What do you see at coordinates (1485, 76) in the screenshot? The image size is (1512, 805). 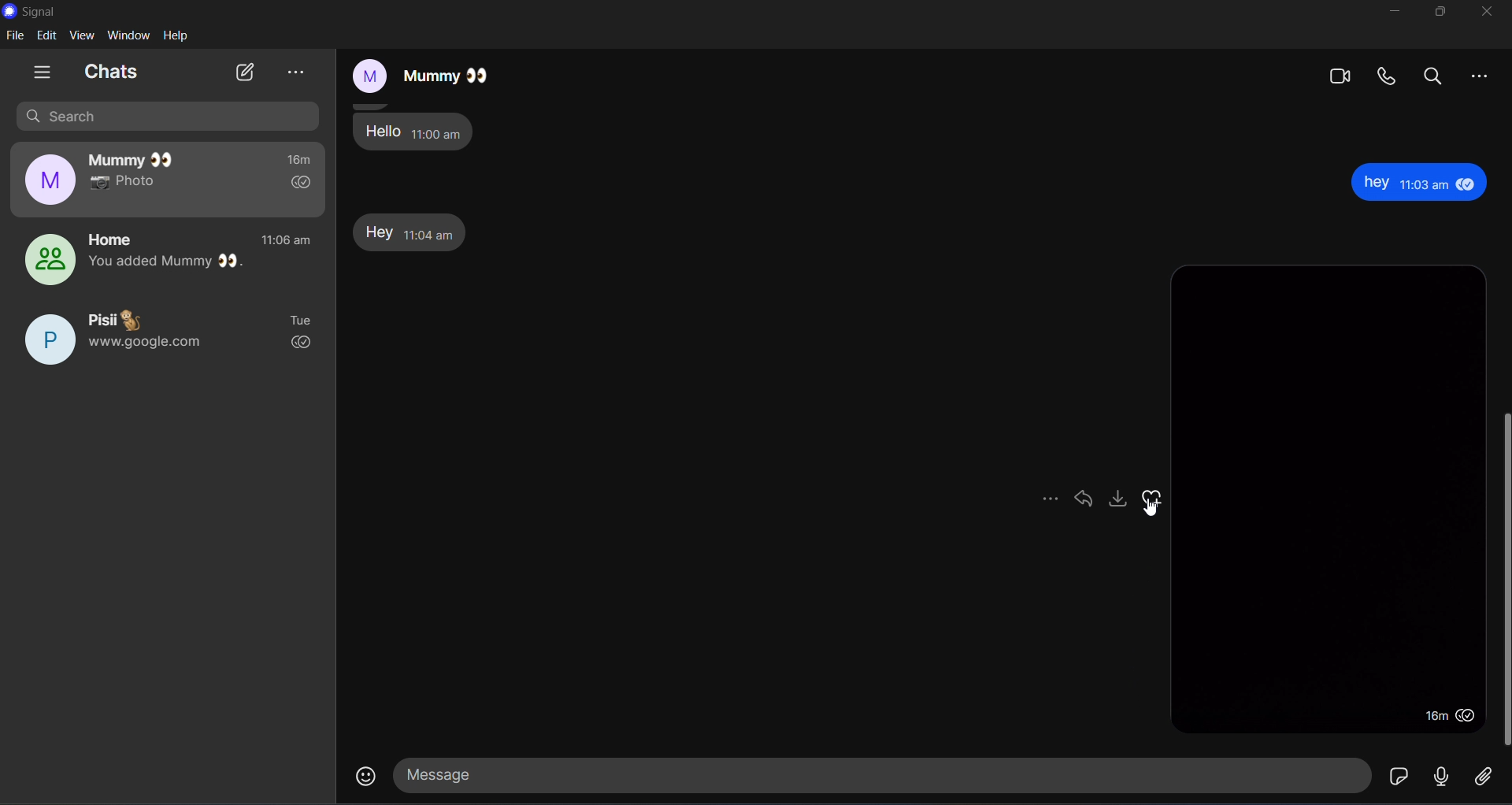 I see `more` at bounding box center [1485, 76].